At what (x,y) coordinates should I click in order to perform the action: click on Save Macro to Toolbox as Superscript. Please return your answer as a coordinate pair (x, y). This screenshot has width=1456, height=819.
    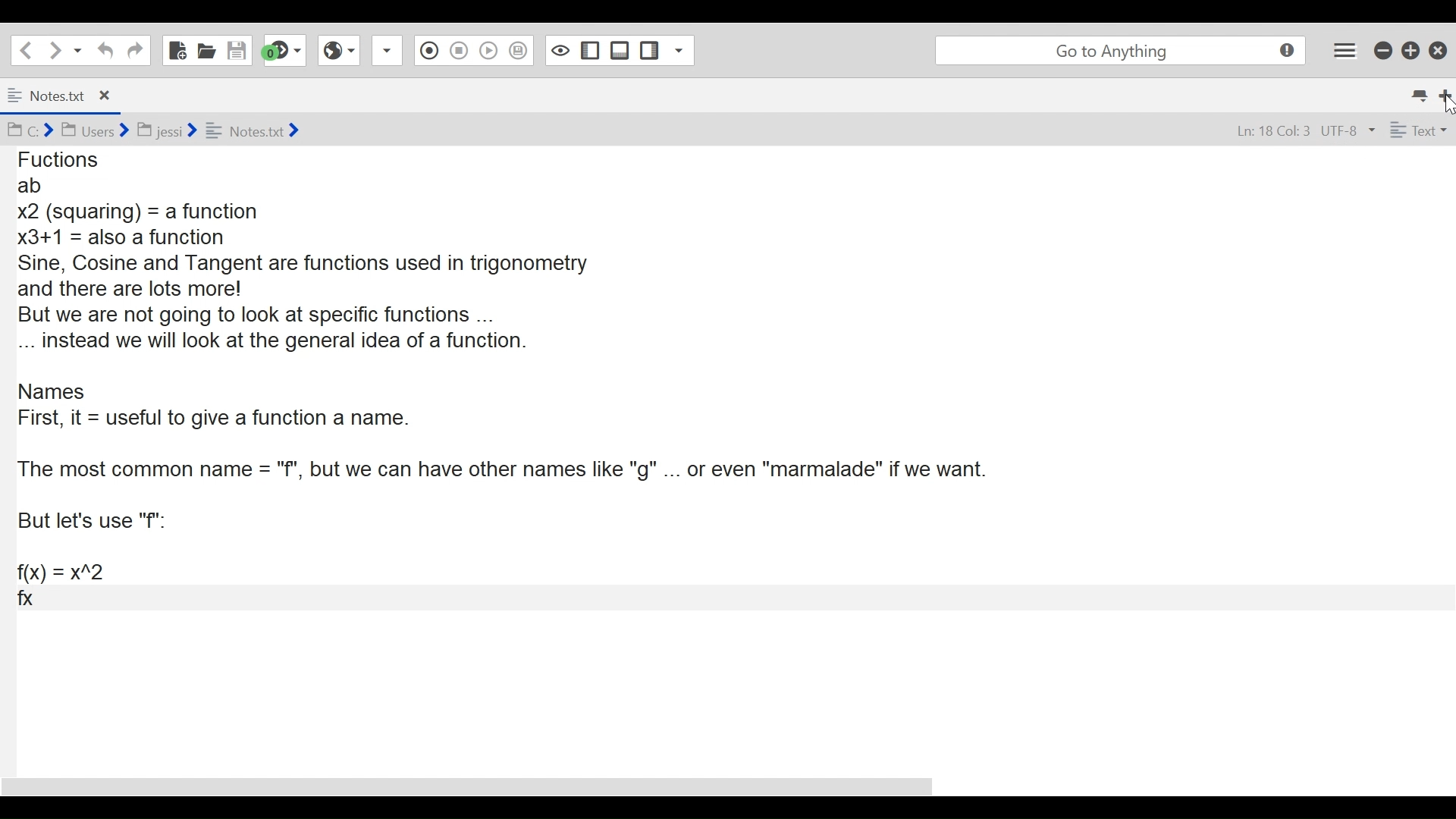
    Looking at the image, I should click on (519, 49).